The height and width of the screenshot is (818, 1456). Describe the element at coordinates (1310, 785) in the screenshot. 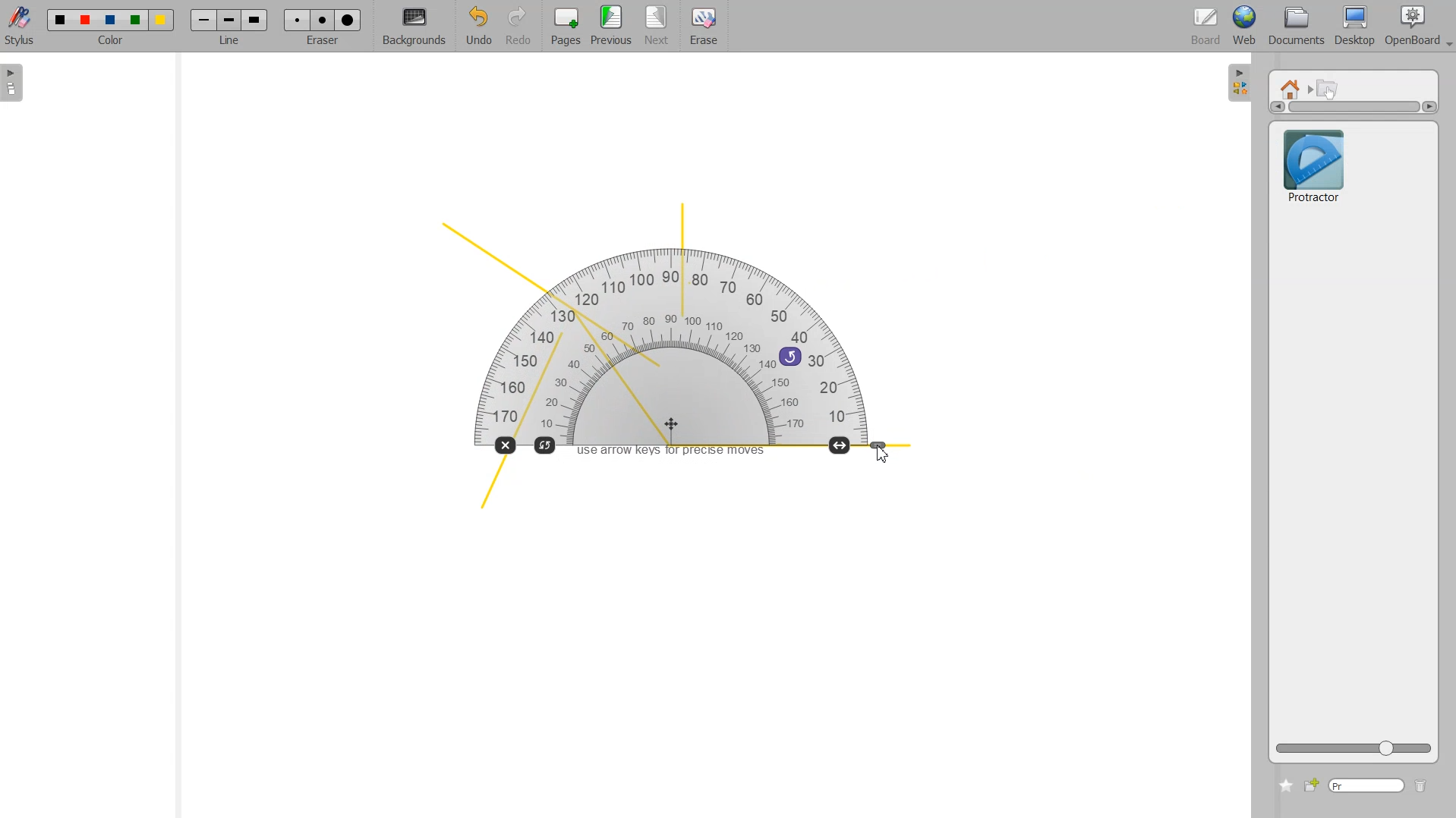

I see `Add new file` at that location.